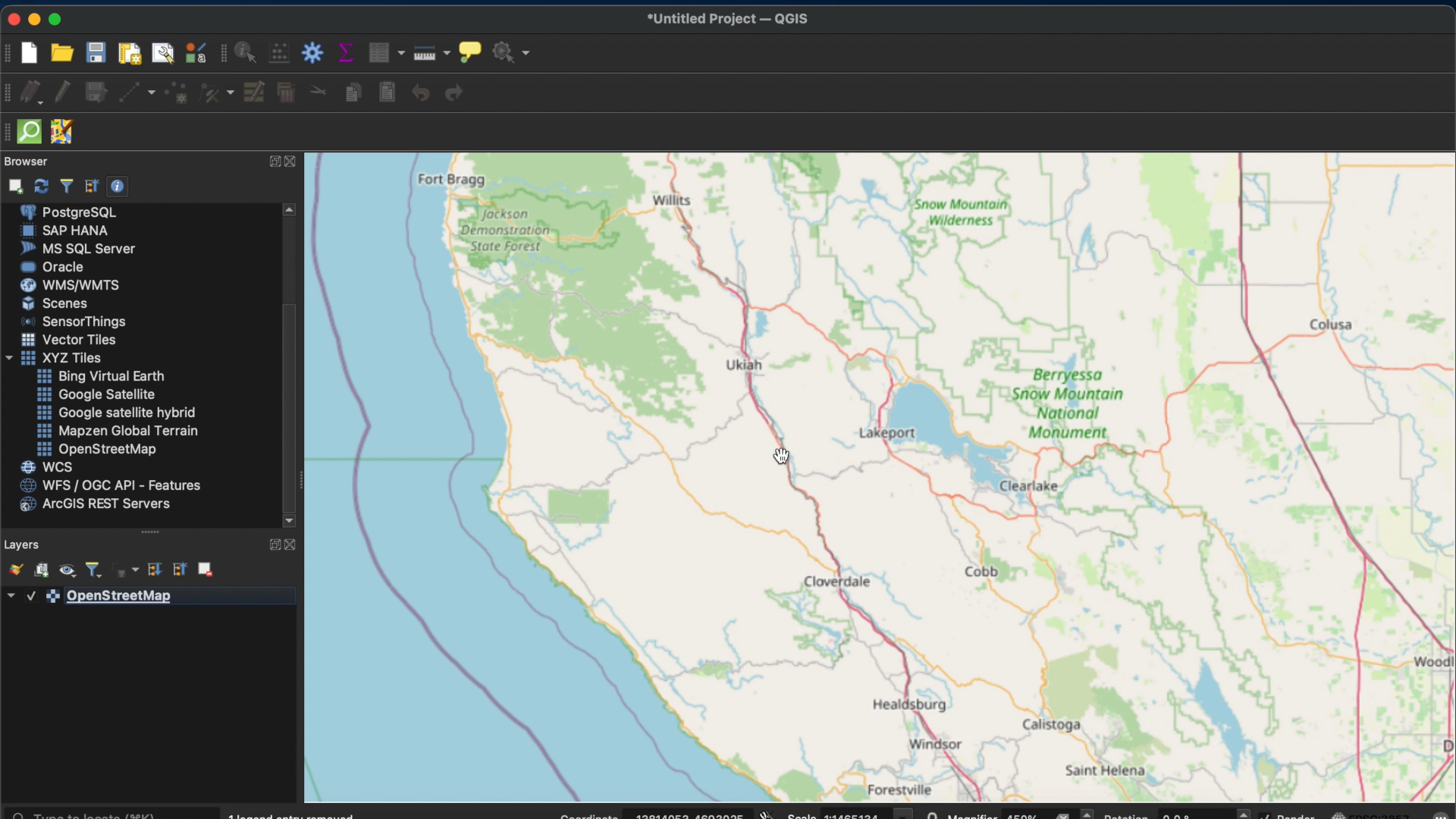 This screenshot has width=1456, height=819. What do you see at coordinates (193, 52) in the screenshot?
I see `style manager` at bounding box center [193, 52].